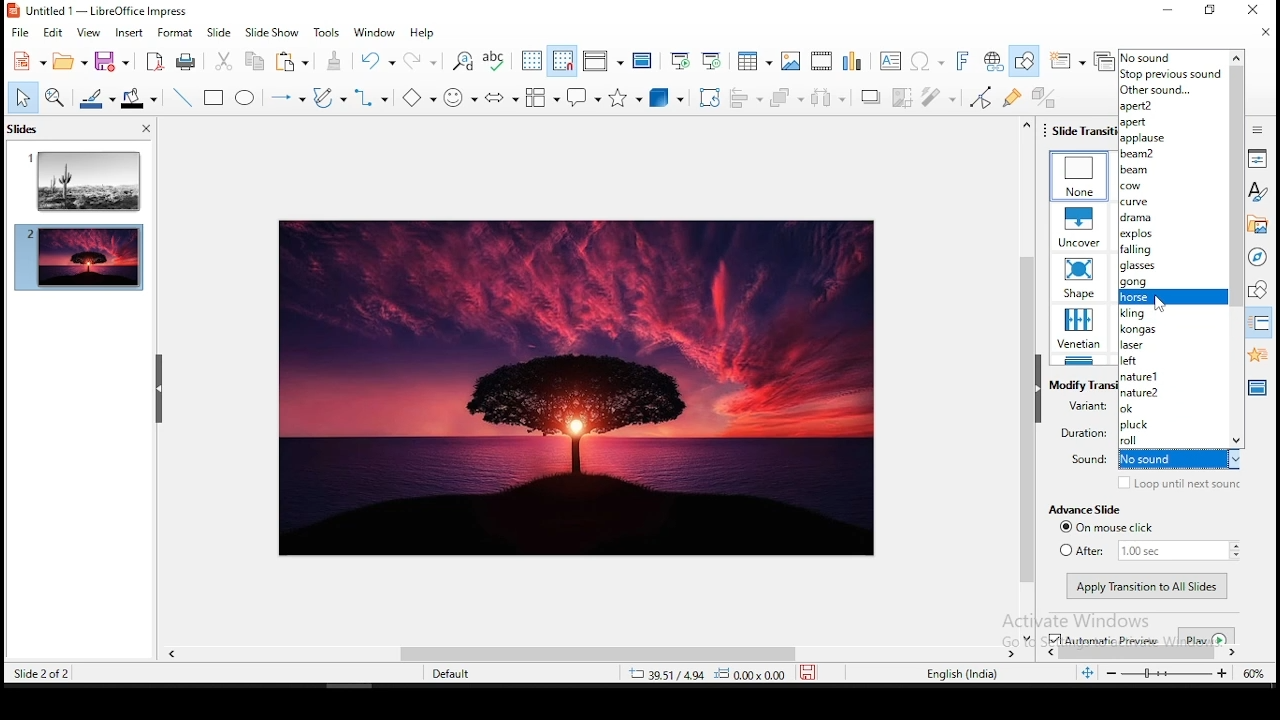 Image resolution: width=1280 pixels, height=720 pixels. I want to click on paste, so click(296, 61).